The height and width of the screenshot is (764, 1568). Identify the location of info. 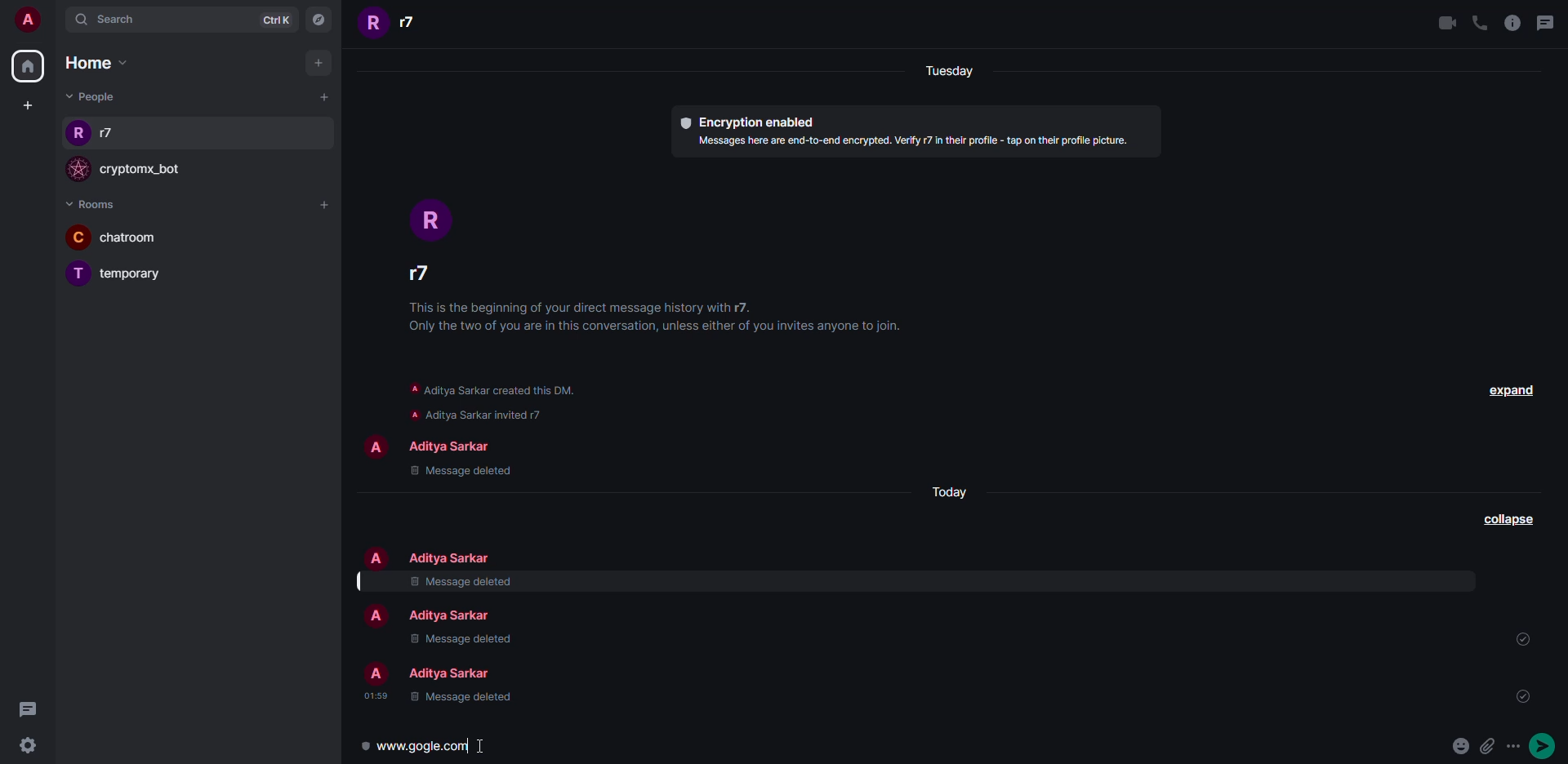
(1512, 23).